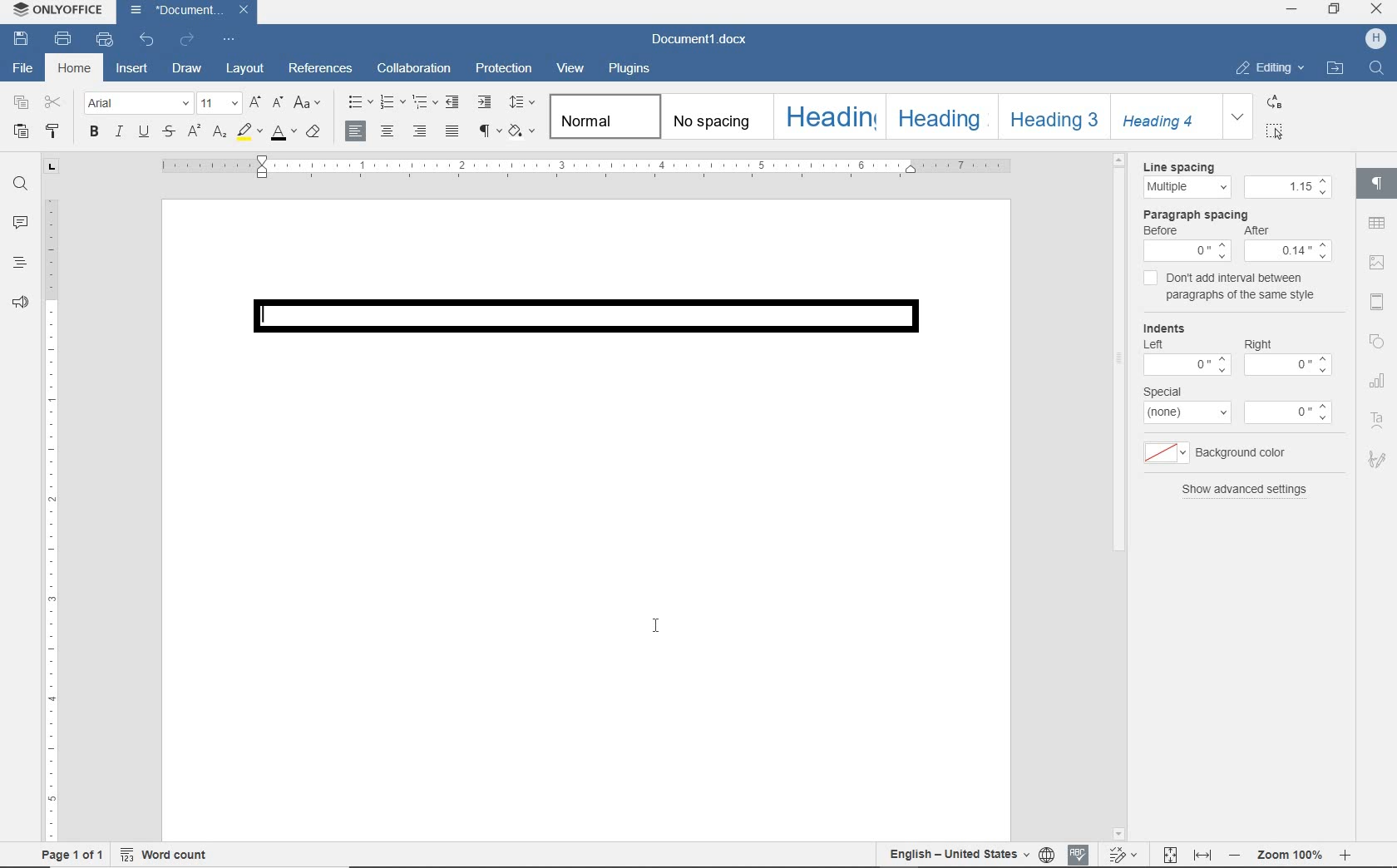 The width and height of the screenshot is (1397, 868). What do you see at coordinates (1237, 406) in the screenshot?
I see `special: none-0` at bounding box center [1237, 406].